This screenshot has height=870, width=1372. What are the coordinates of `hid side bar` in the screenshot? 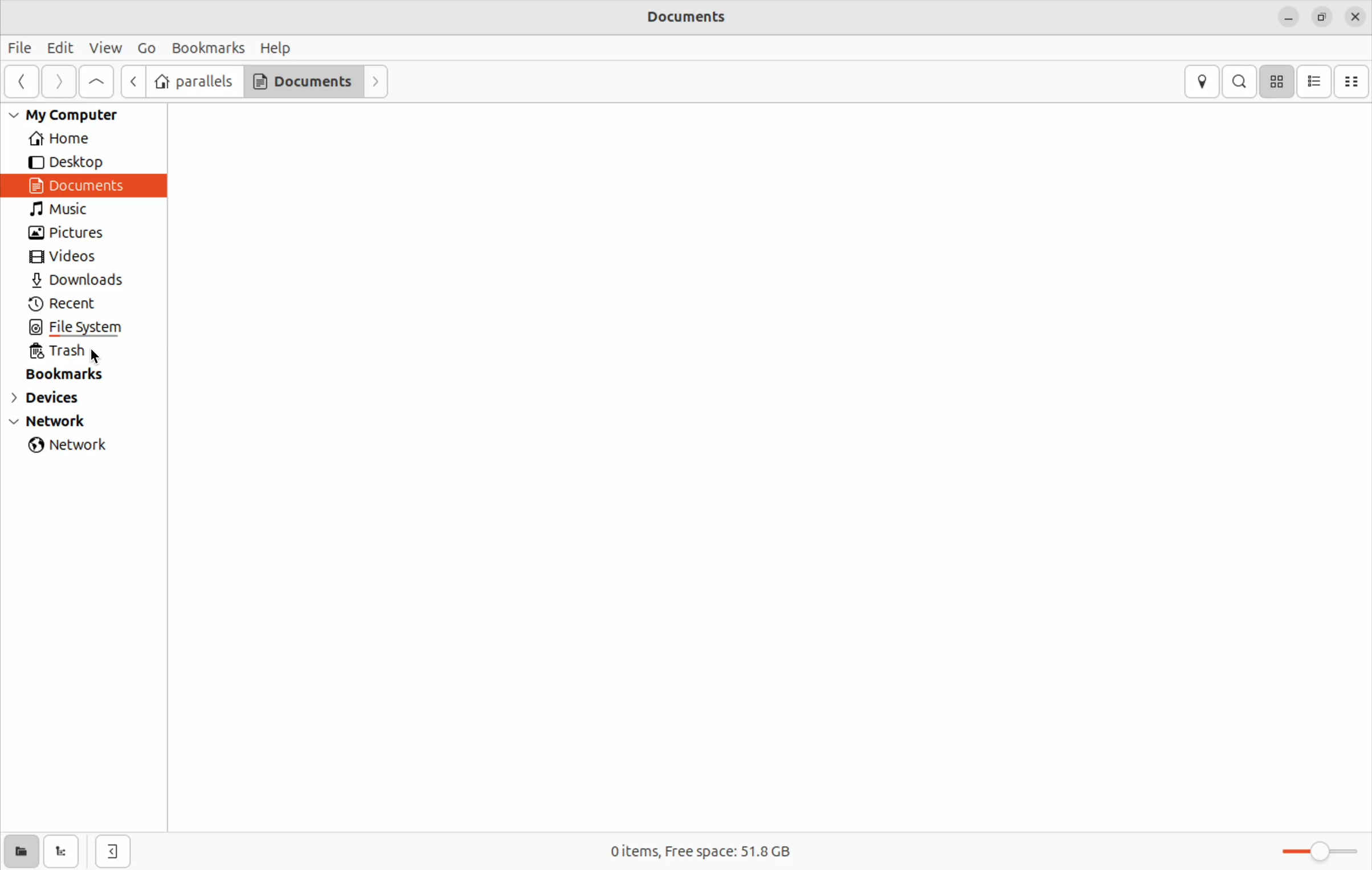 It's located at (113, 852).